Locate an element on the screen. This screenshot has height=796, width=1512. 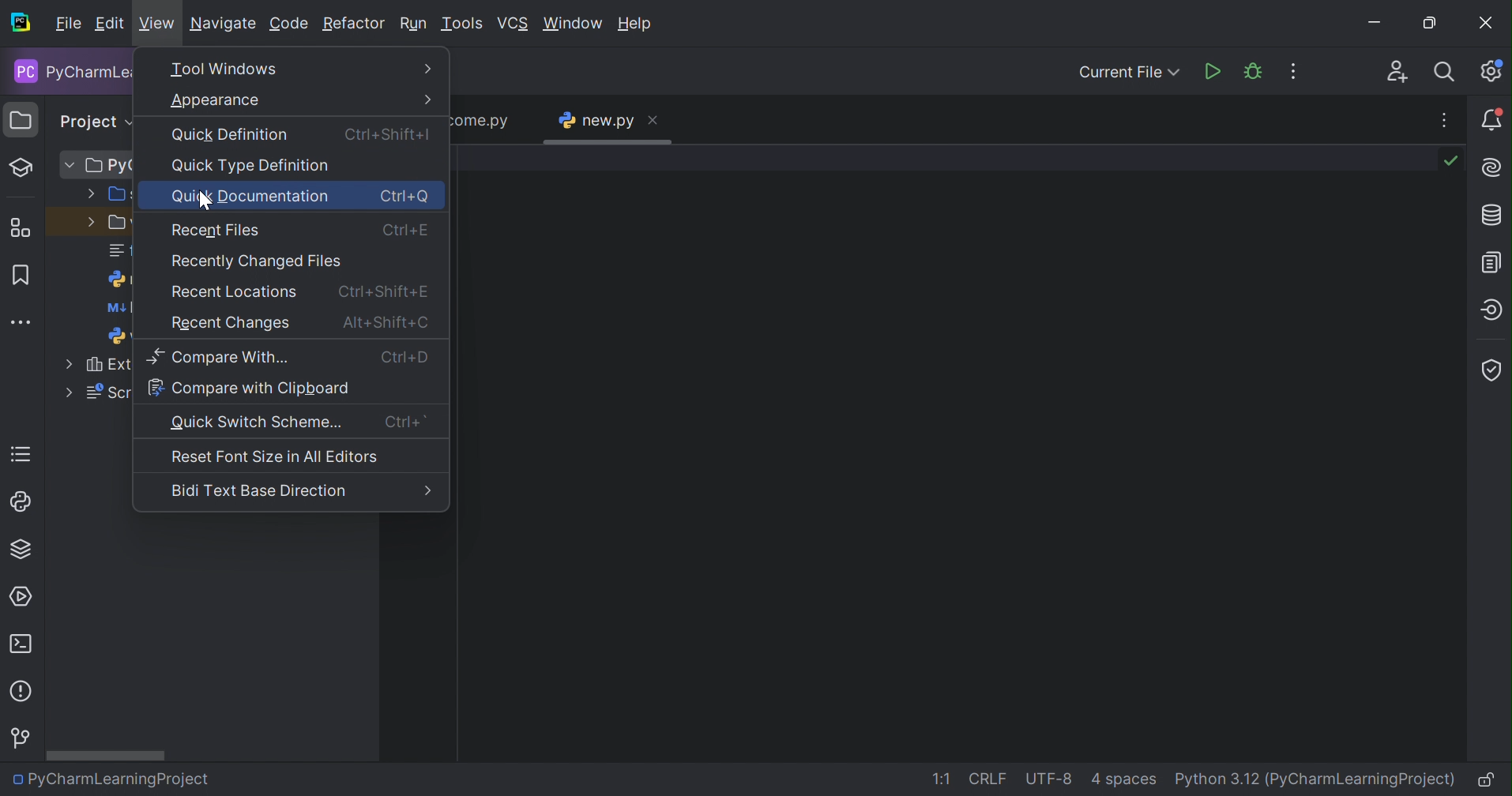
Bidi Text Base Direction is located at coordinates (306, 490).